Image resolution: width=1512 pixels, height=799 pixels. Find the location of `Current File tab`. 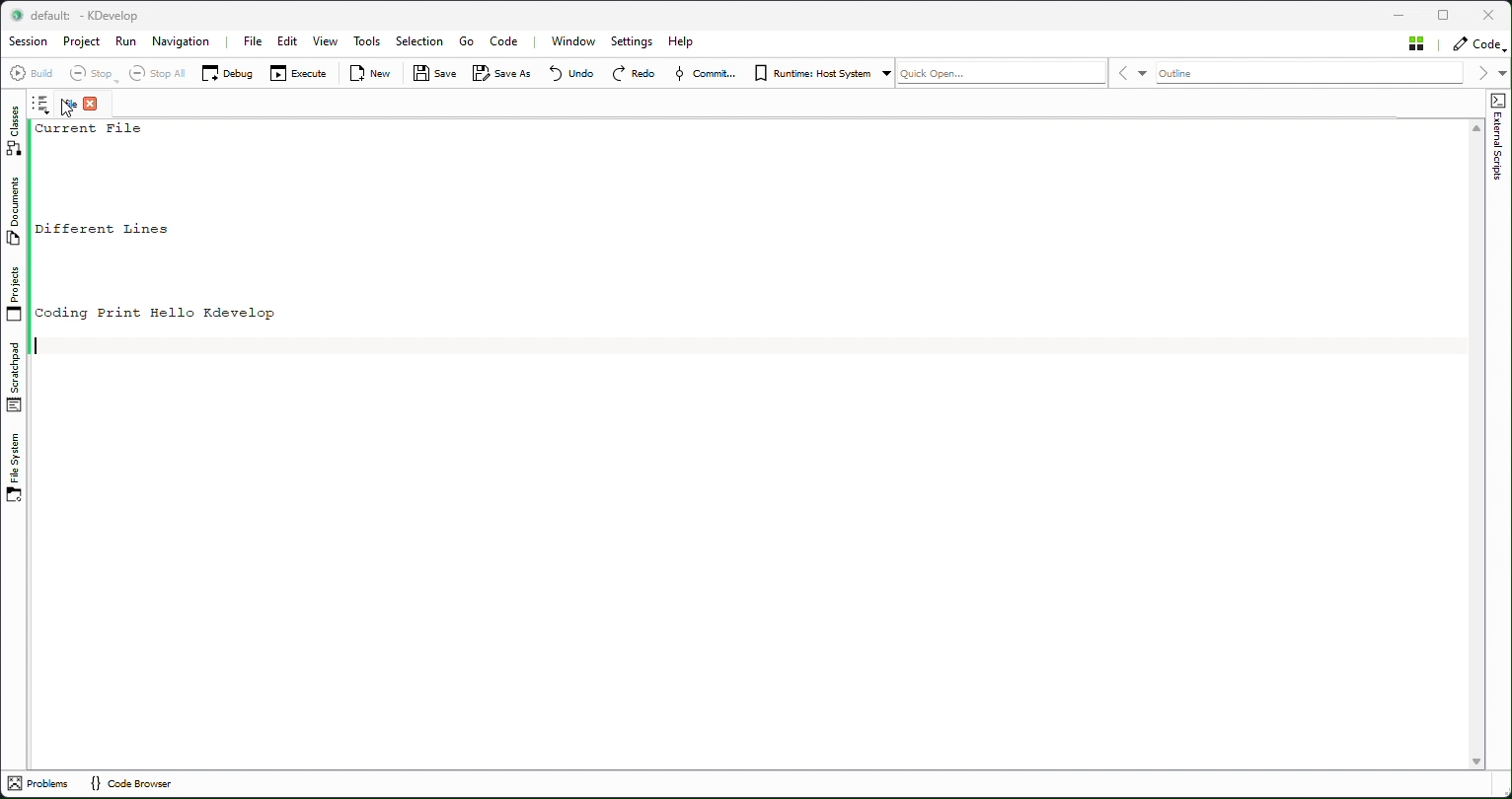

Current File tab is located at coordinates (79, 105).